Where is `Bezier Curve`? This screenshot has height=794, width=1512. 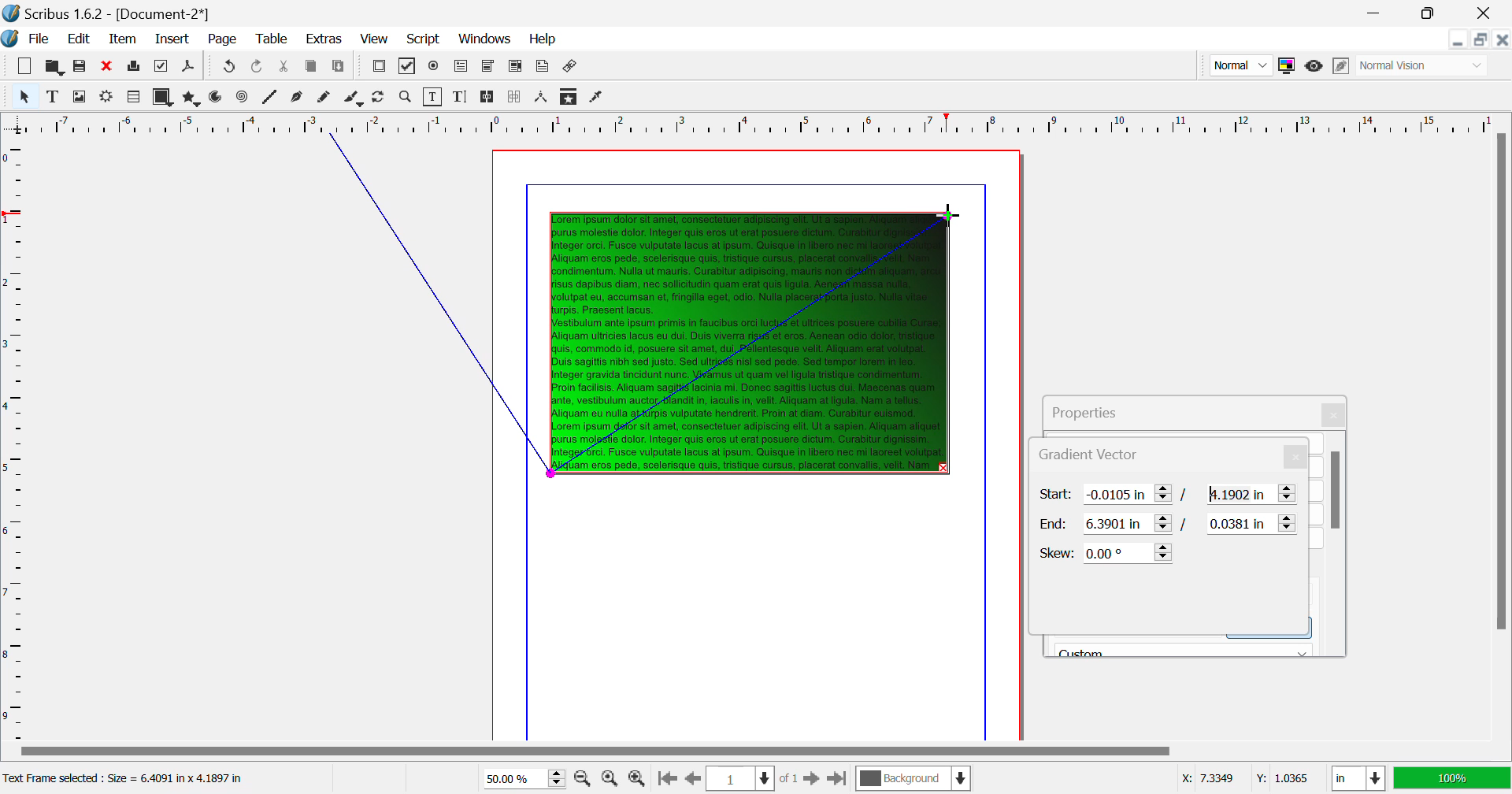 Bezier Curve is located at coordinates (298, 98).